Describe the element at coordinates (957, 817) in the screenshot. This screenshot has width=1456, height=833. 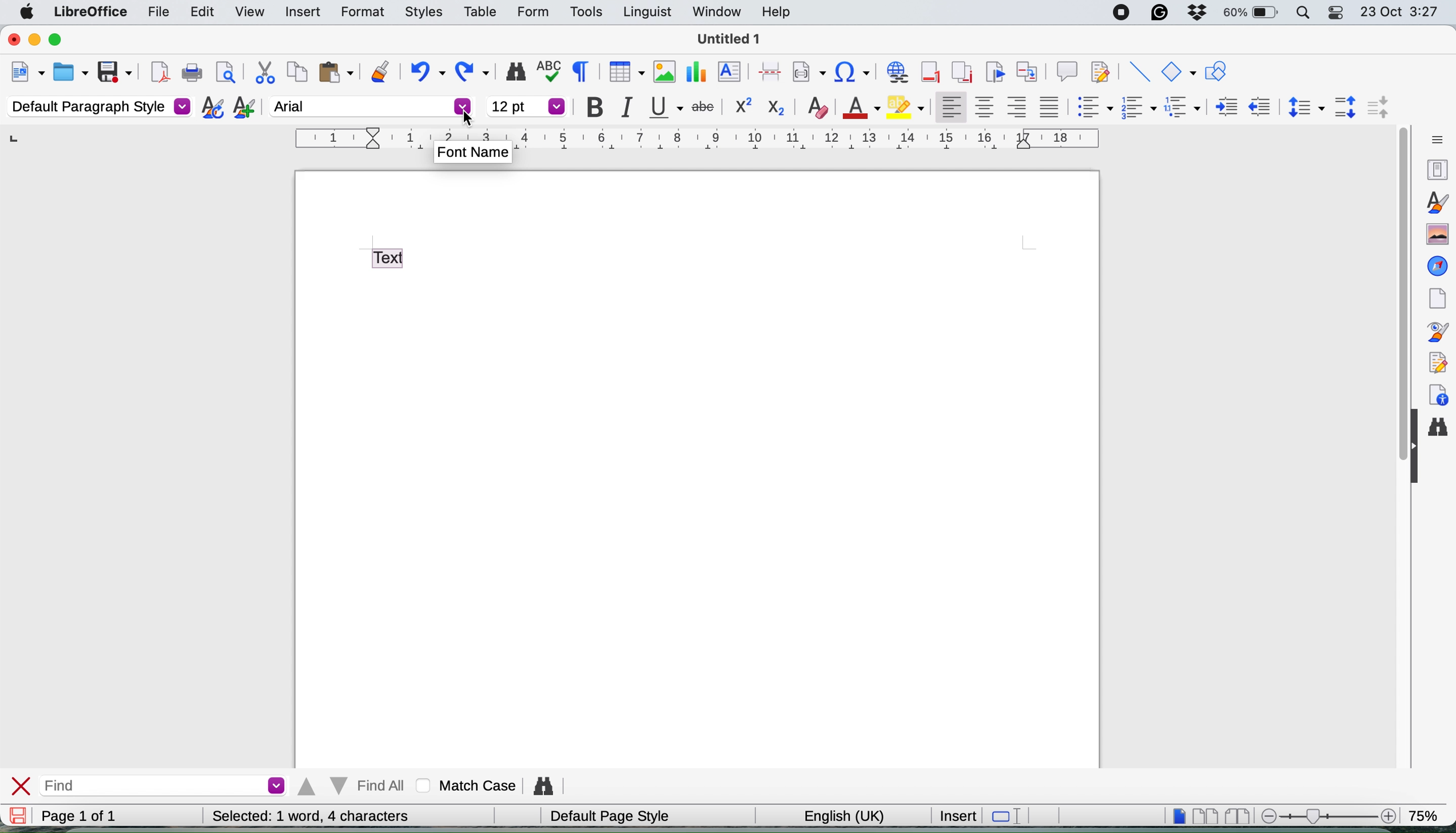
I see `insert` at that location.